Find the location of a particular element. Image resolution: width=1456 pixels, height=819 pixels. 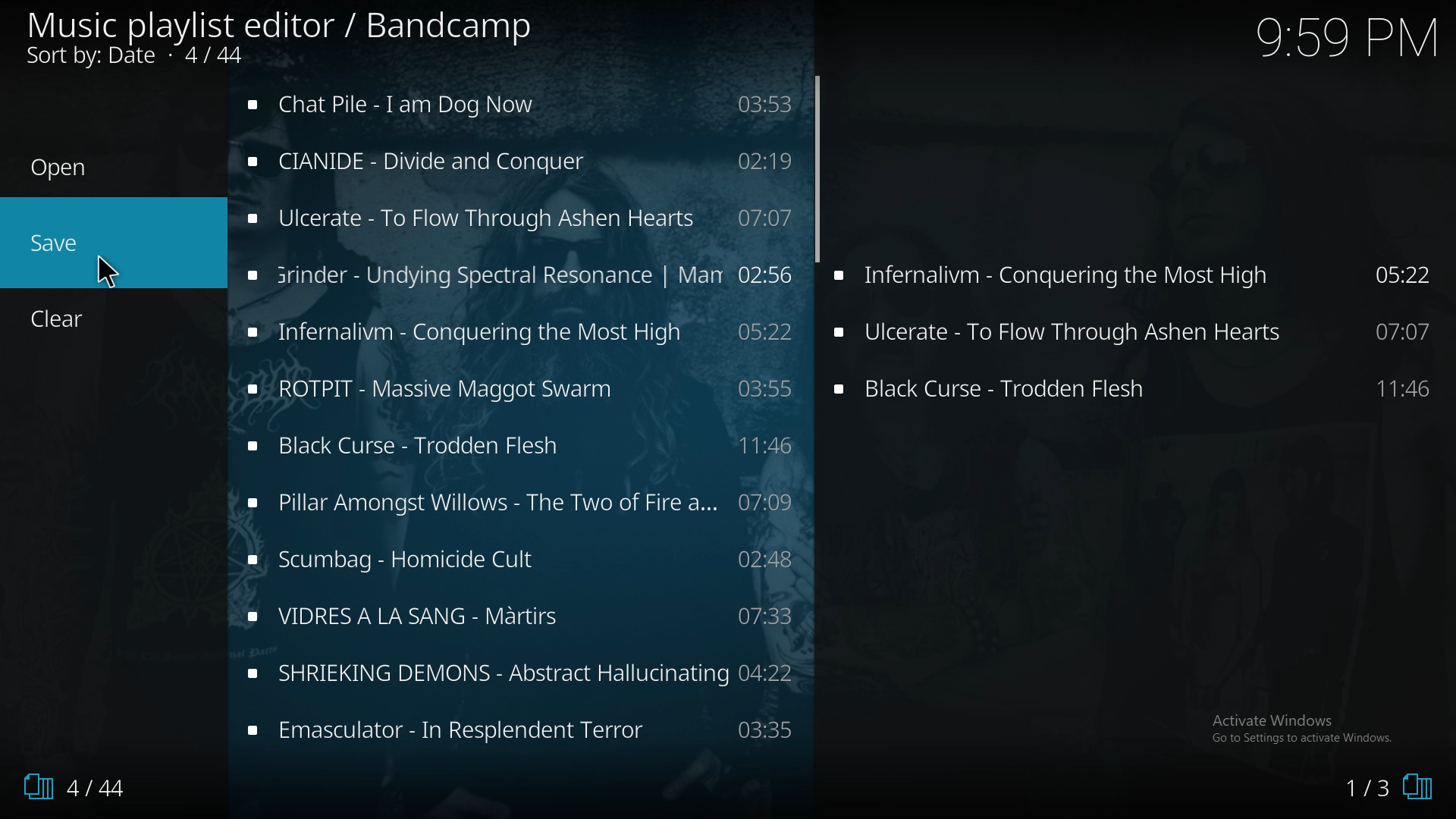

9:58 PM is located at coordinates (1341, 42).